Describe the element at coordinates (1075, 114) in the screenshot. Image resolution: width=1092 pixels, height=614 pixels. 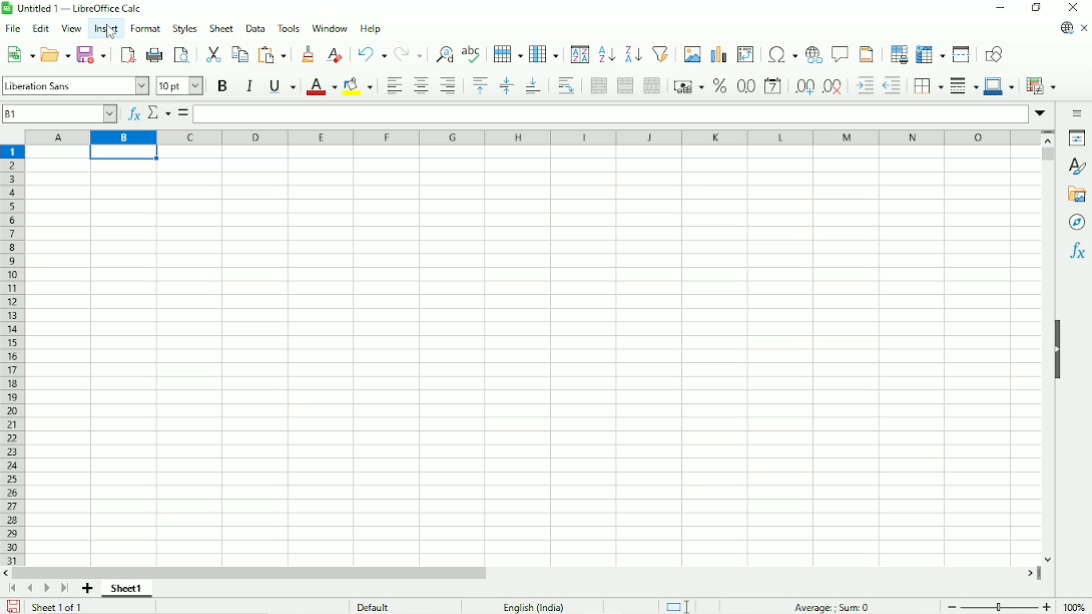
I see `Sidebar settings` at that location.